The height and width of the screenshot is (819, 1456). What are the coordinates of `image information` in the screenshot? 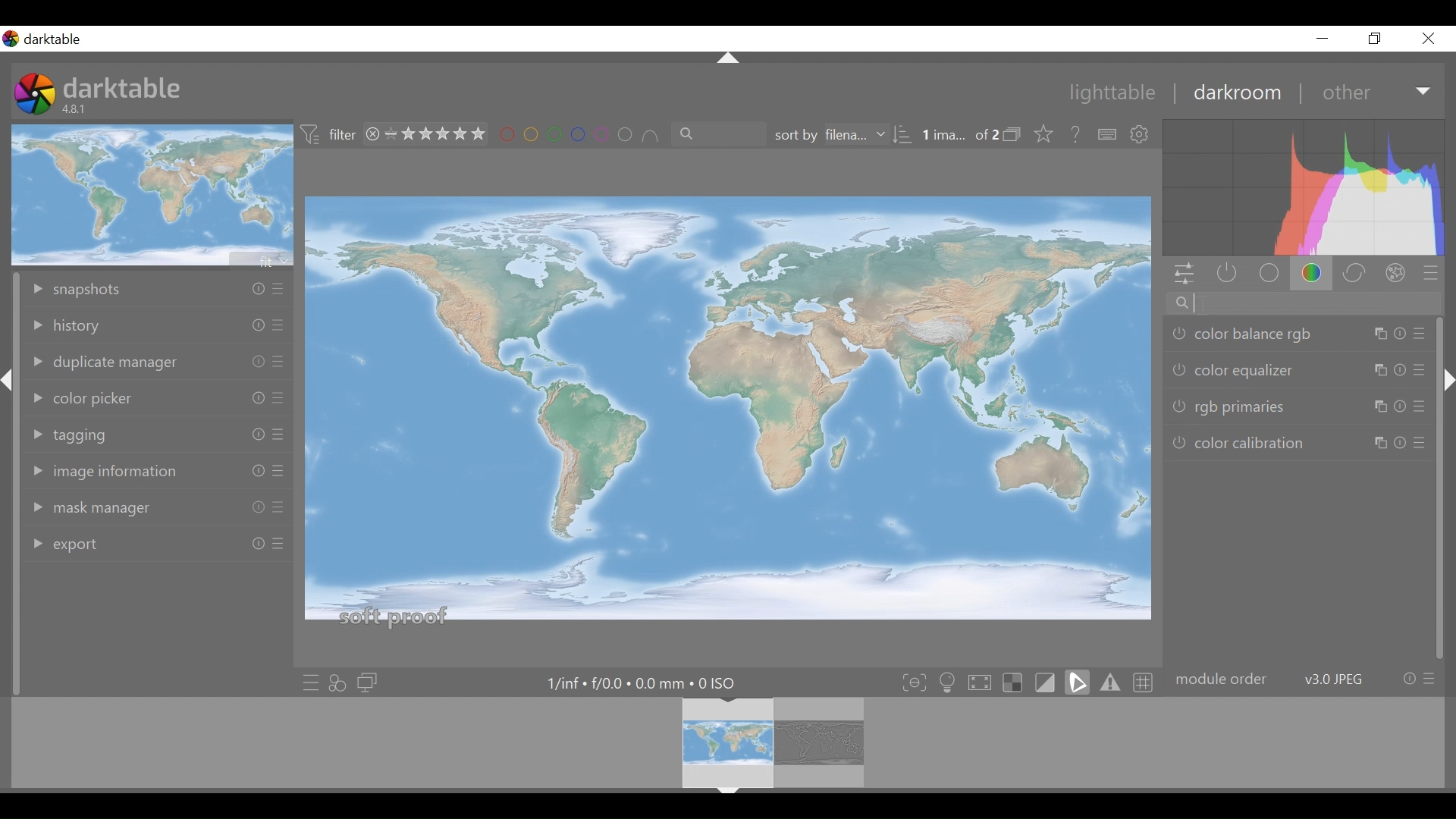 It's located at (161, 470).